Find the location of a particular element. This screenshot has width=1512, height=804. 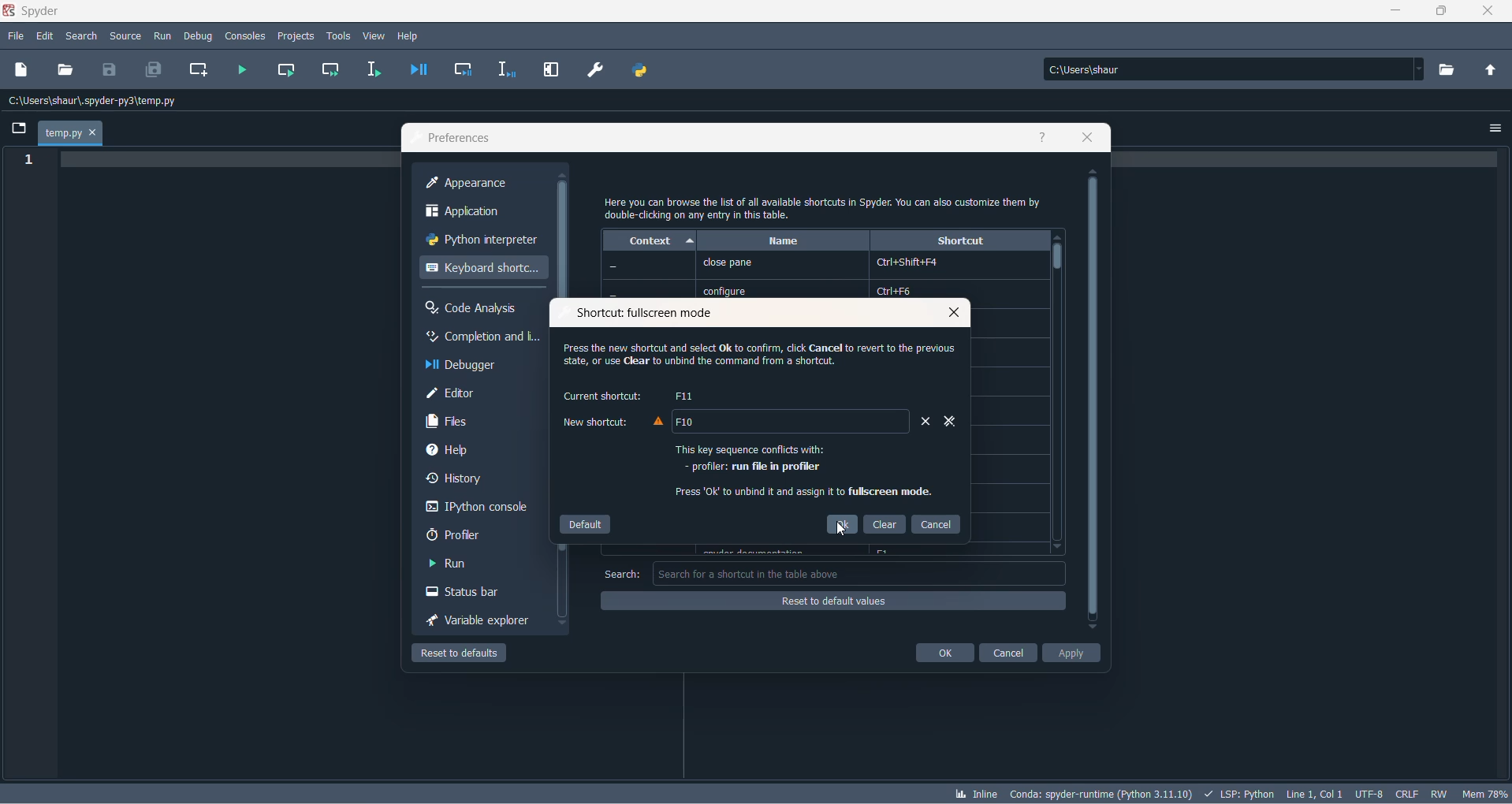

options is located at coordinates (1496, 125).